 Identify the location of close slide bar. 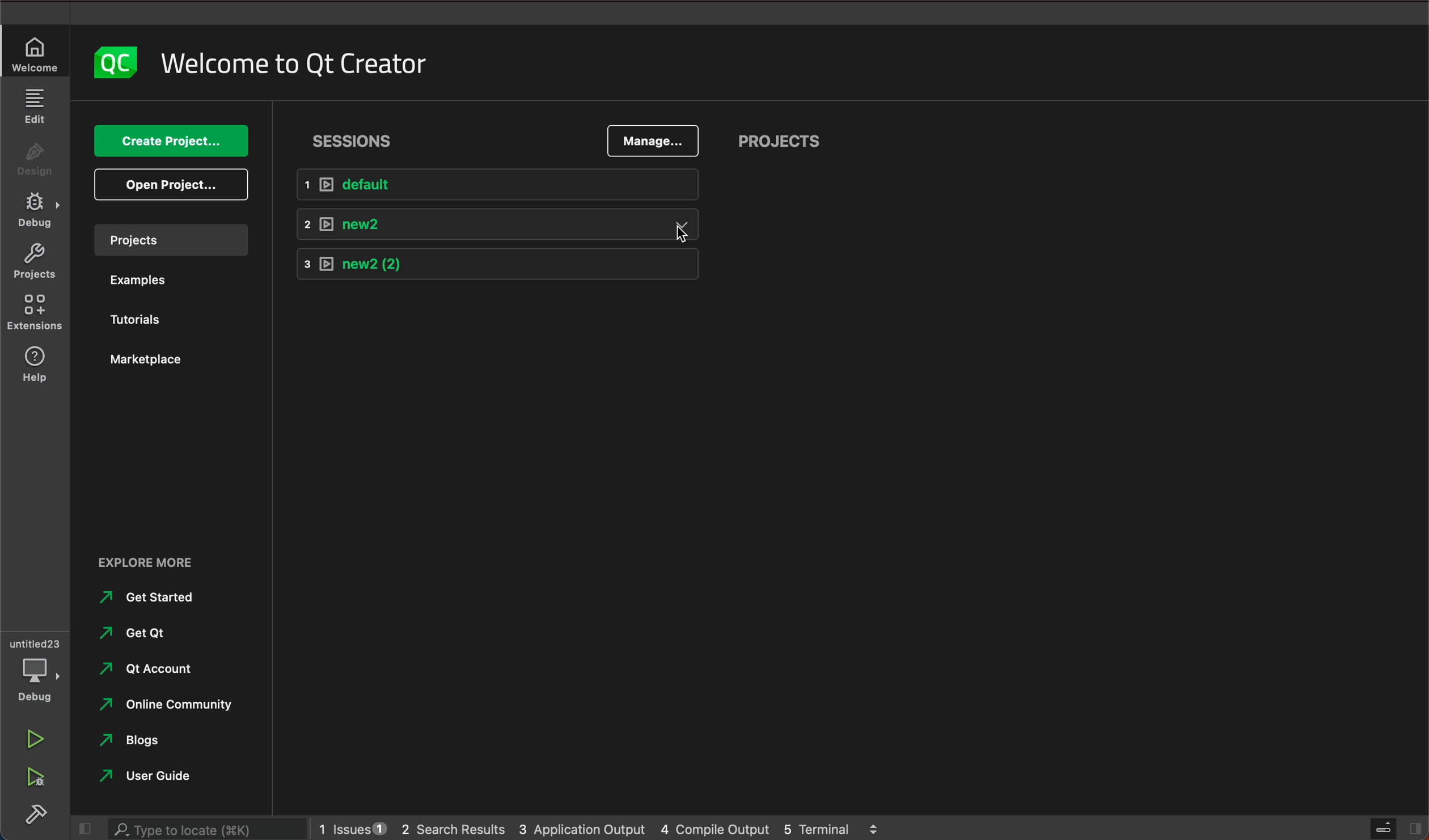
(86, 828).